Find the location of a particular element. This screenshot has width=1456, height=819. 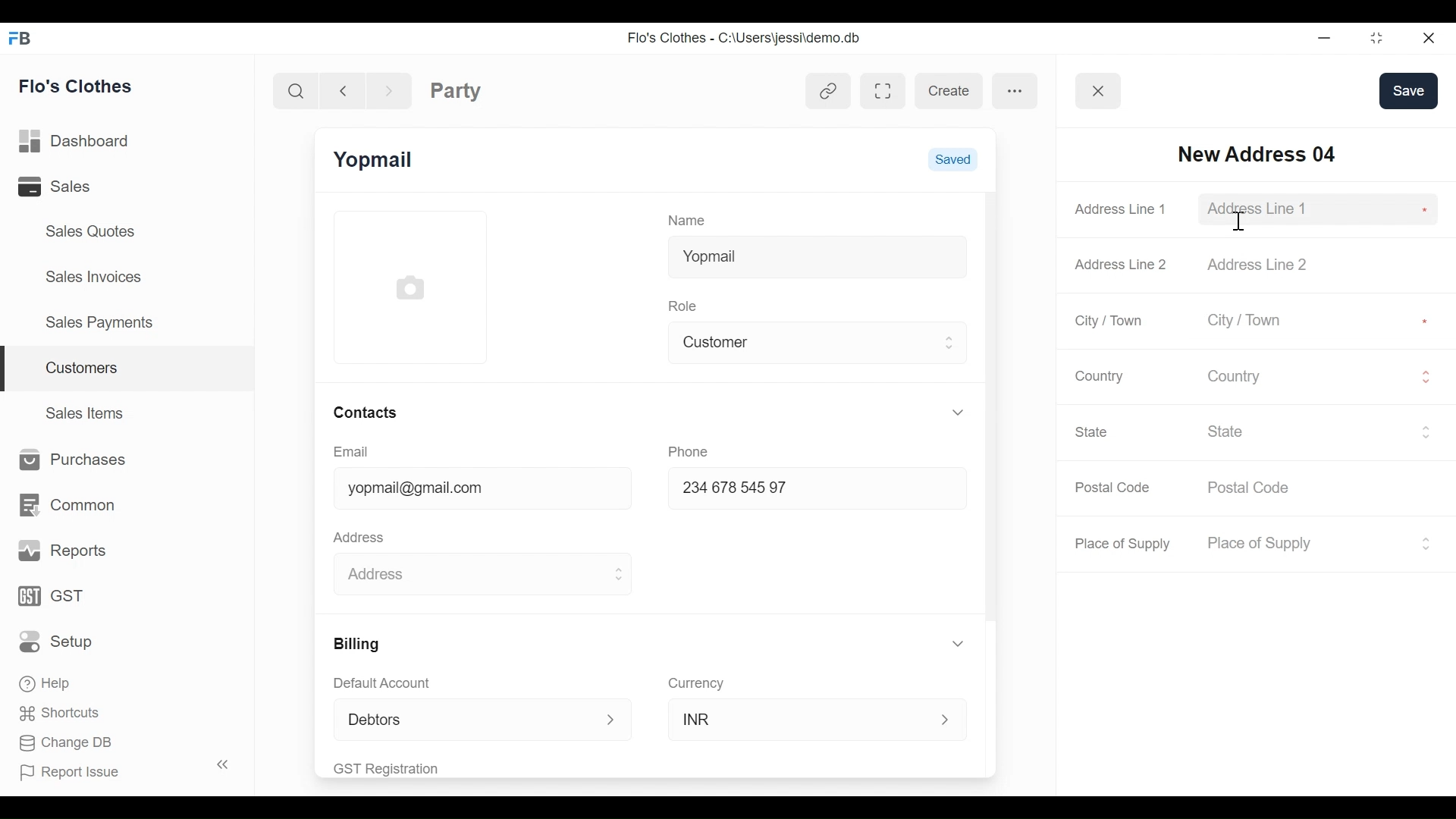

Expand is located at coordinates (958, 412).